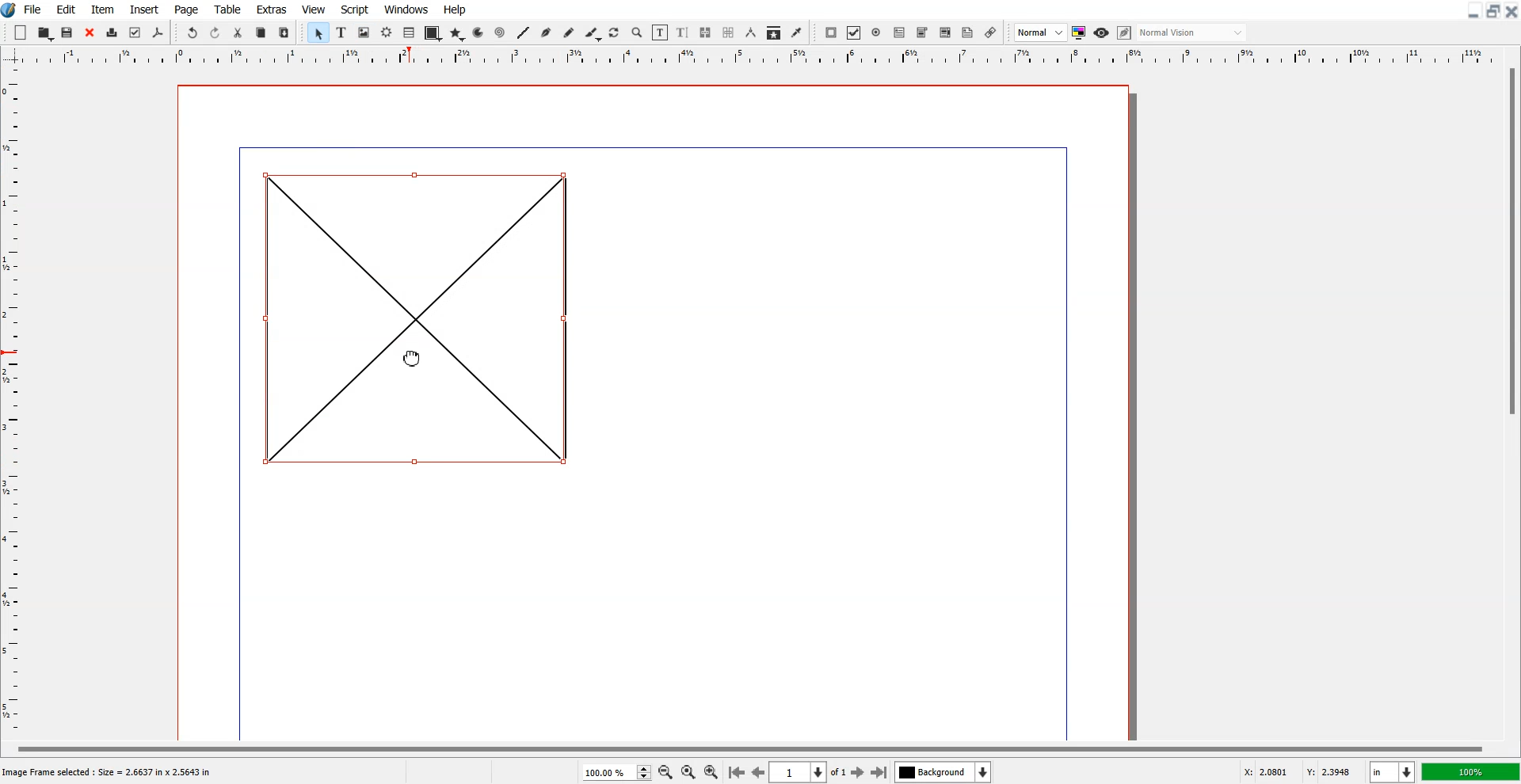  I want to click on Redo, so click(215, 32).